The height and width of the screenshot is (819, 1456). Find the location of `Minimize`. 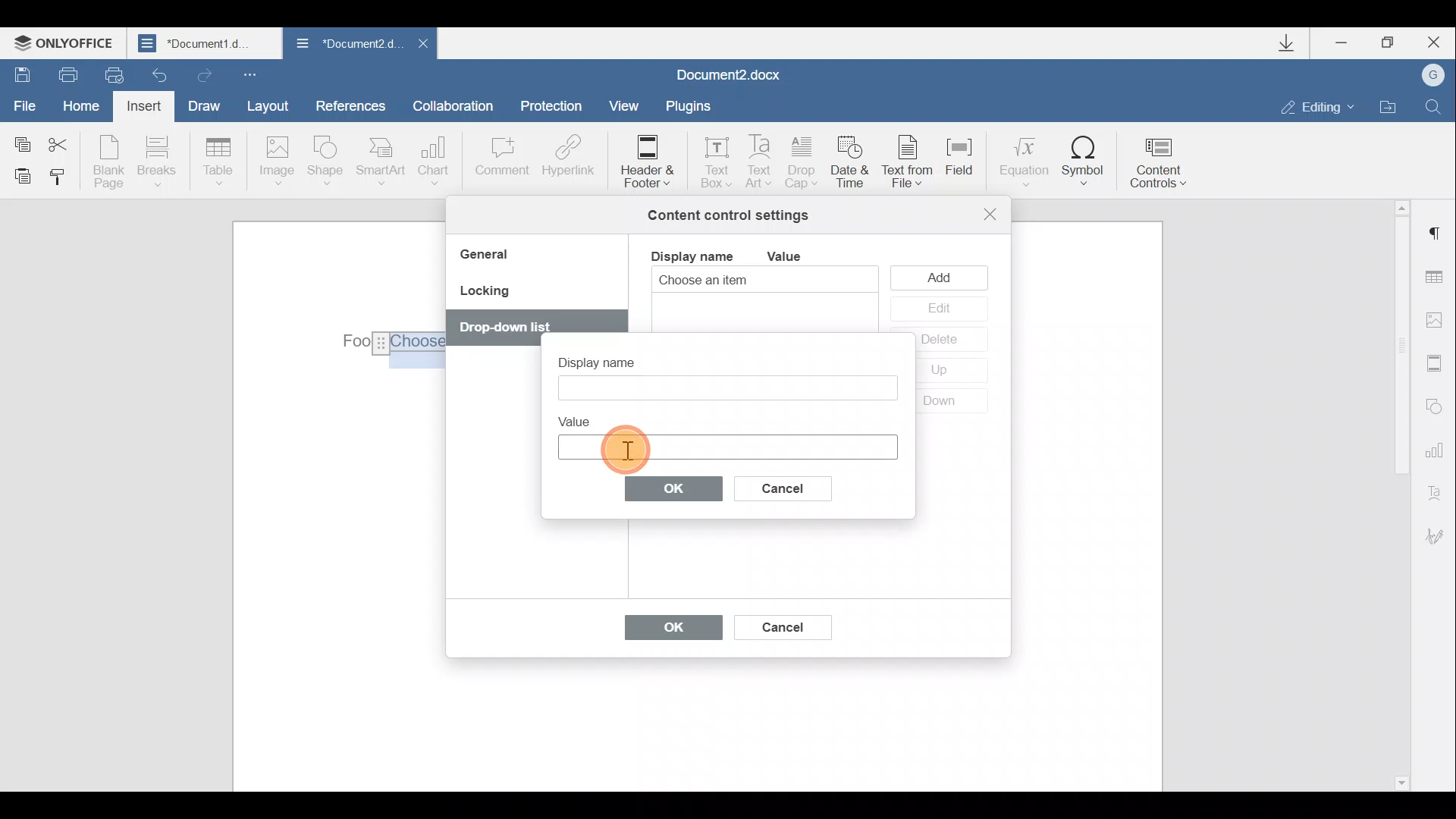

Minimize is located at coordinates (1348, 45).